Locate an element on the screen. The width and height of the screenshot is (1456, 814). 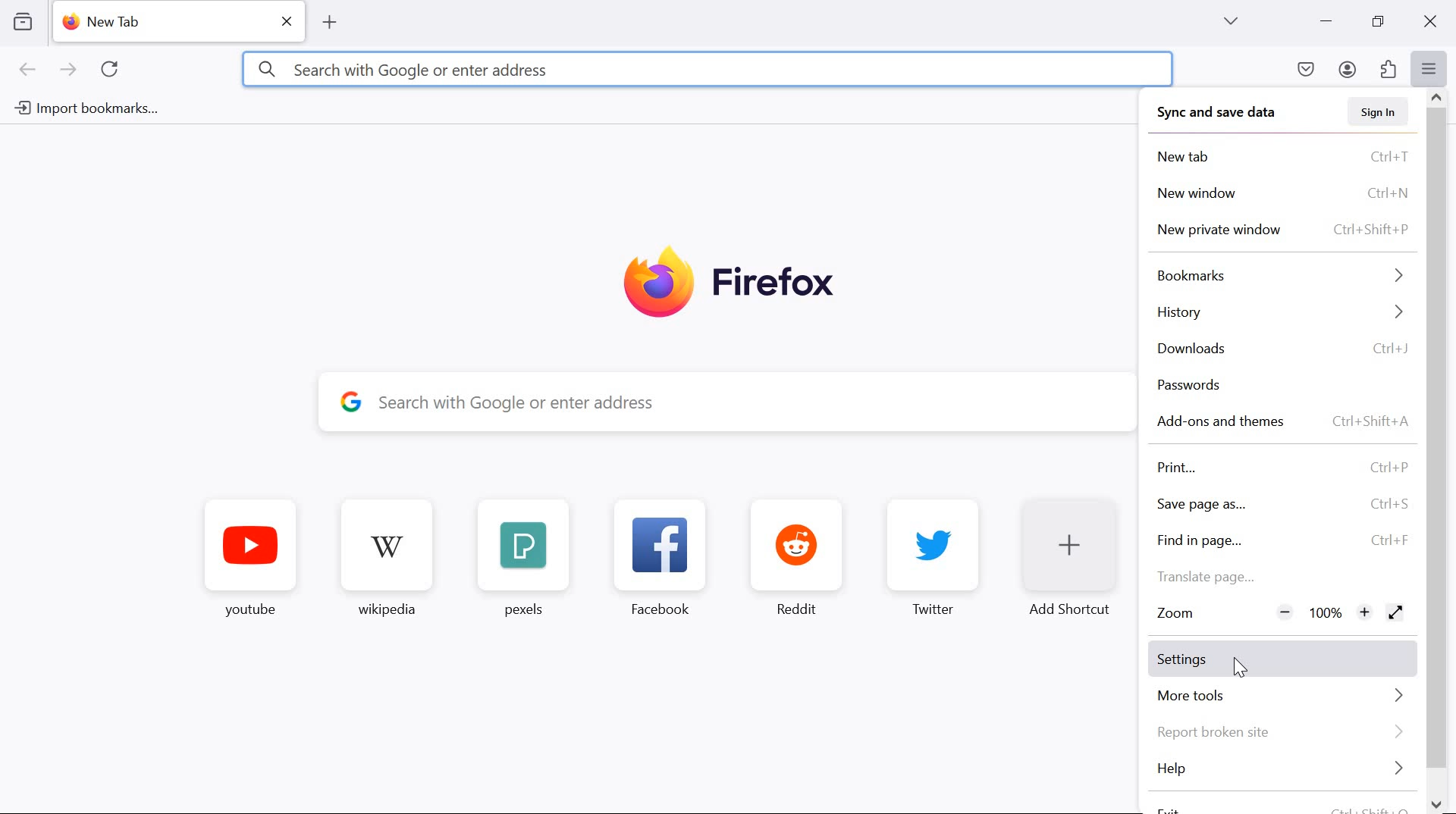
find page is located at coordinates (1282, 540).